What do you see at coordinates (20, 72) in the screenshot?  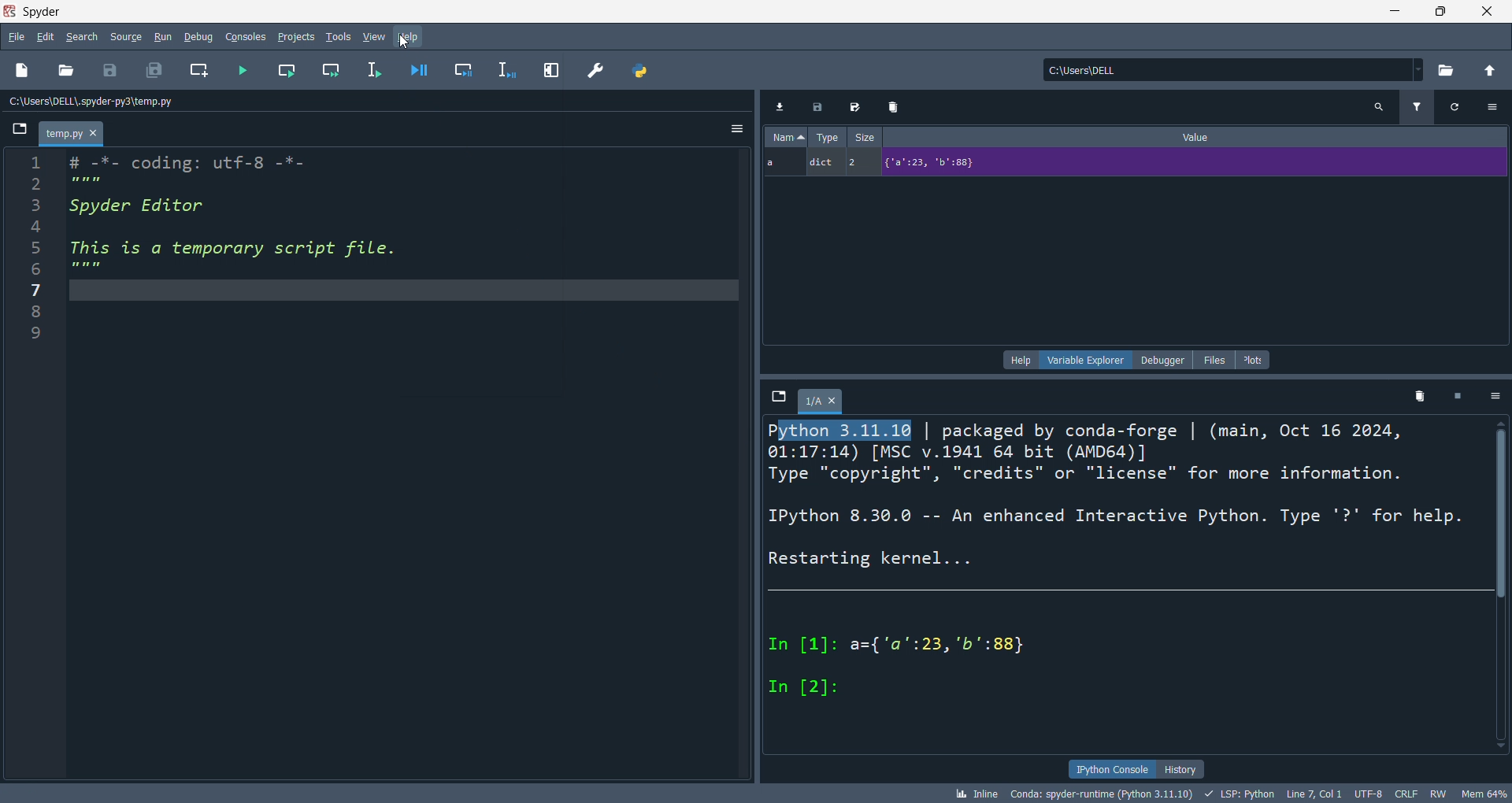 I see `new file` at bounding box center [20, 72].